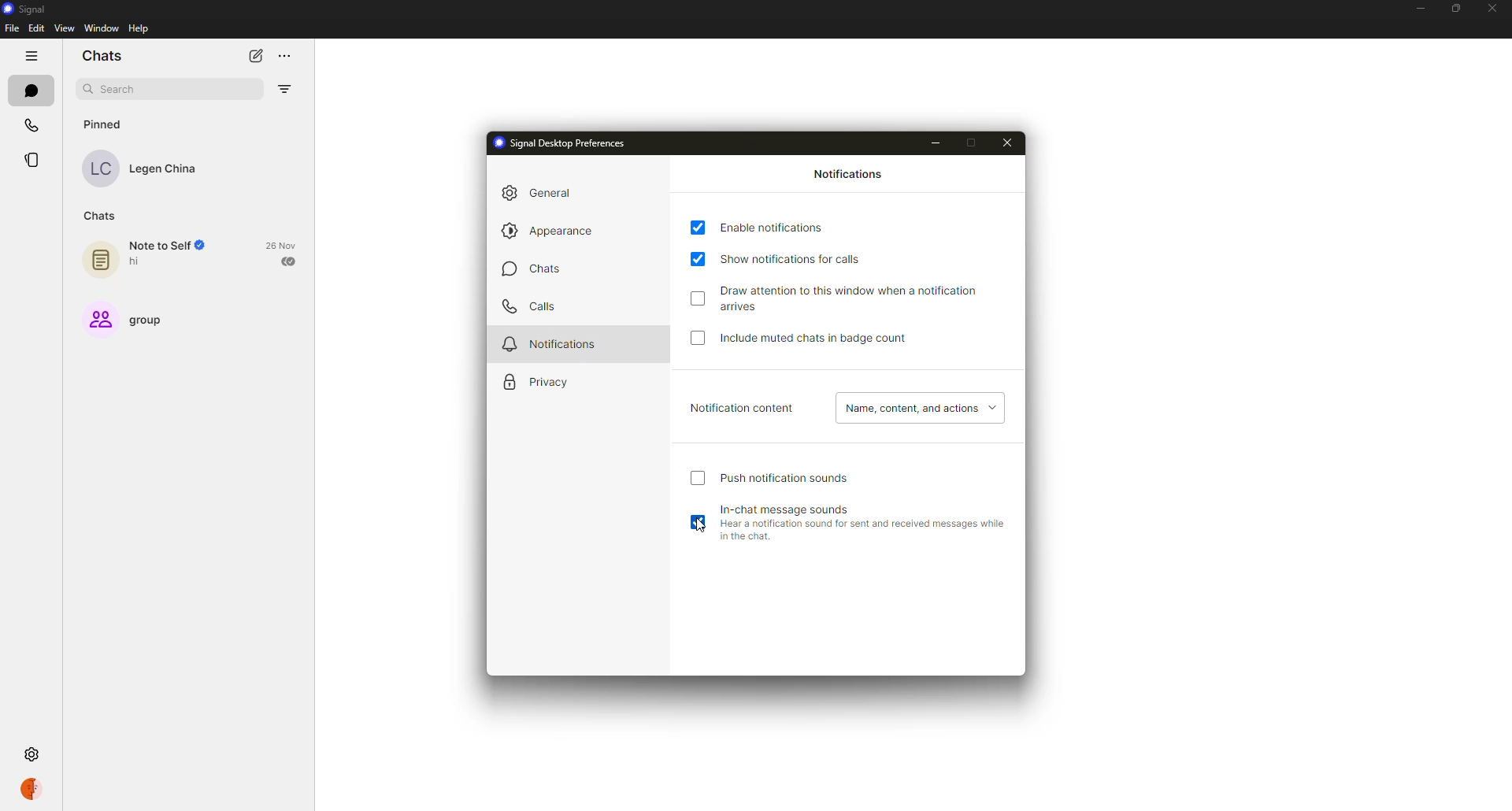 The height and width of the screenshot is (811, 1512). What do you see at coordinates (151, 257) in the screenshot?
I see `note to self` at bounding box center [151, 257].